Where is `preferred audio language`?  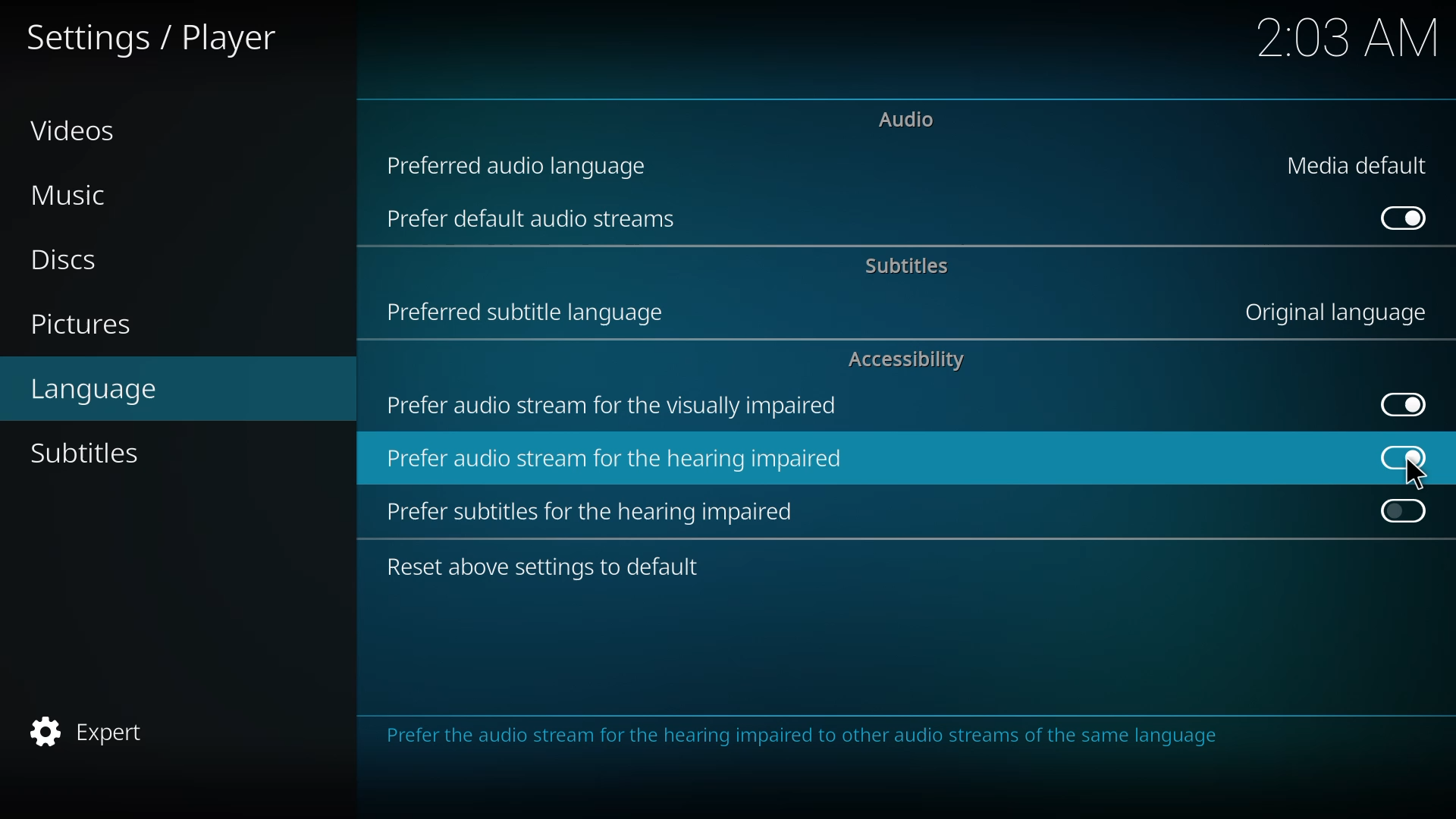
preferred audio language is located at coordinates (526, 163).